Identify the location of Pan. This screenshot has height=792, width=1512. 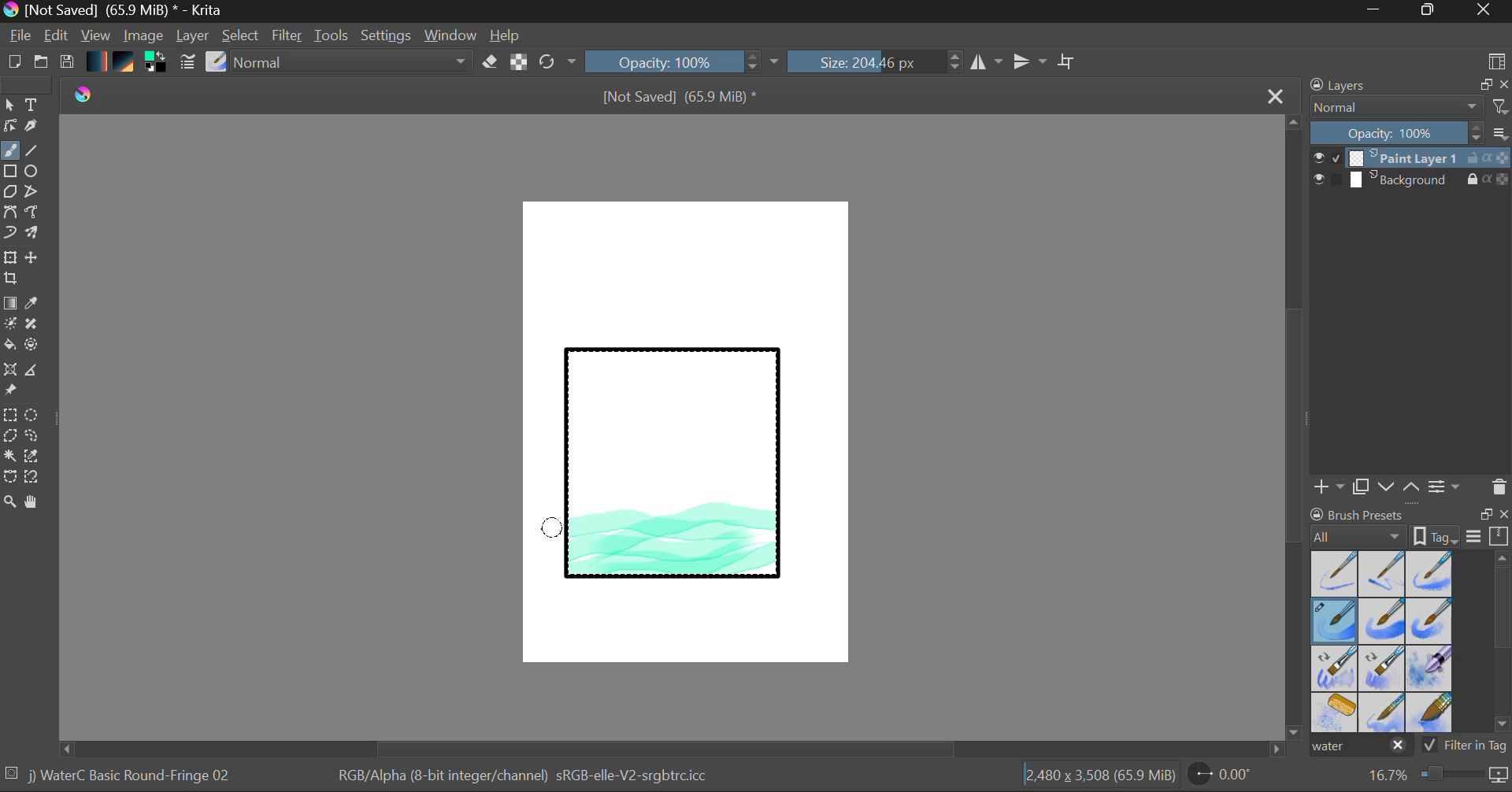
(37, 505).